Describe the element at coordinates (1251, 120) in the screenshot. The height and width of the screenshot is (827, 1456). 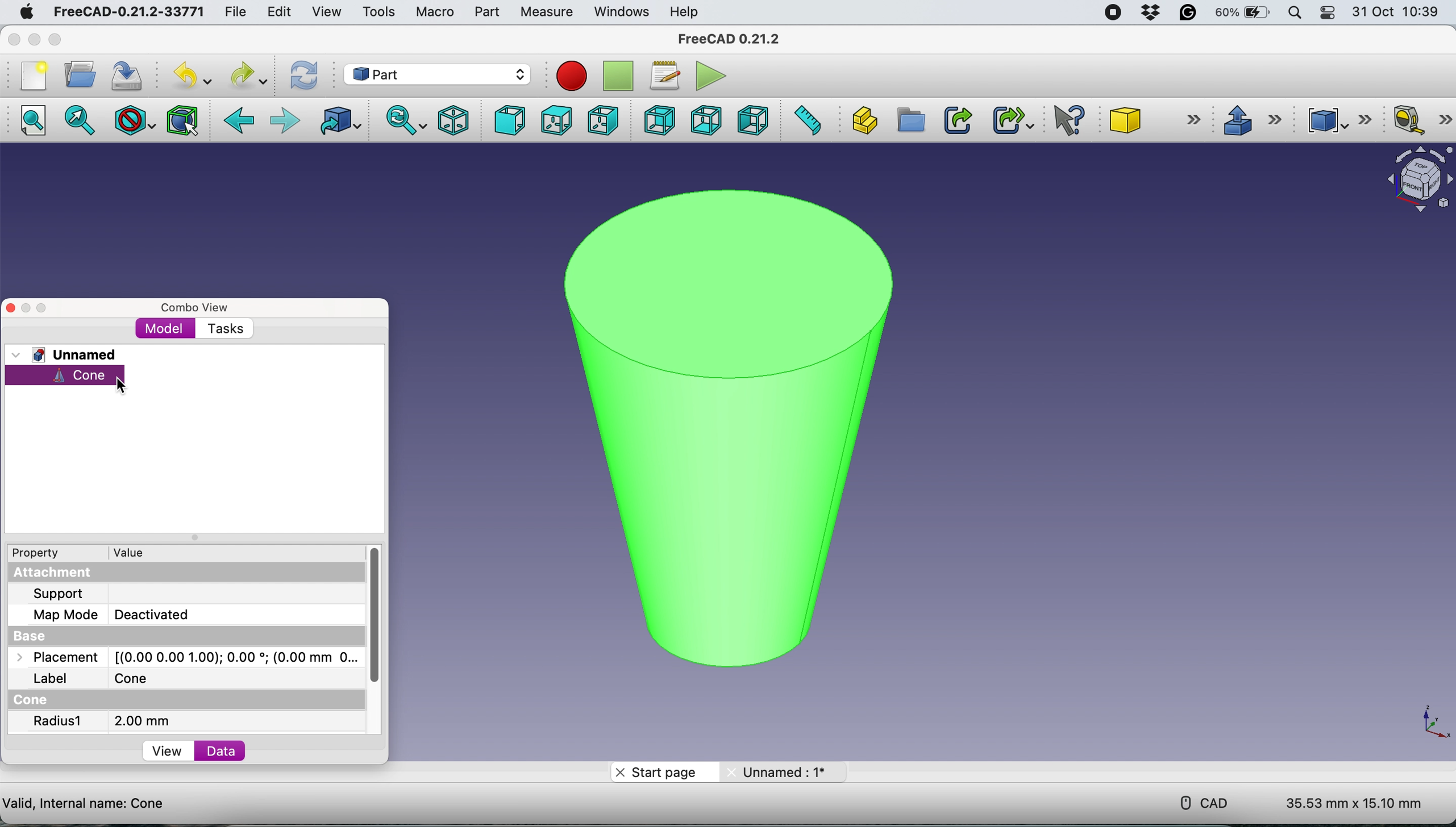
I see `extrude` at that location.